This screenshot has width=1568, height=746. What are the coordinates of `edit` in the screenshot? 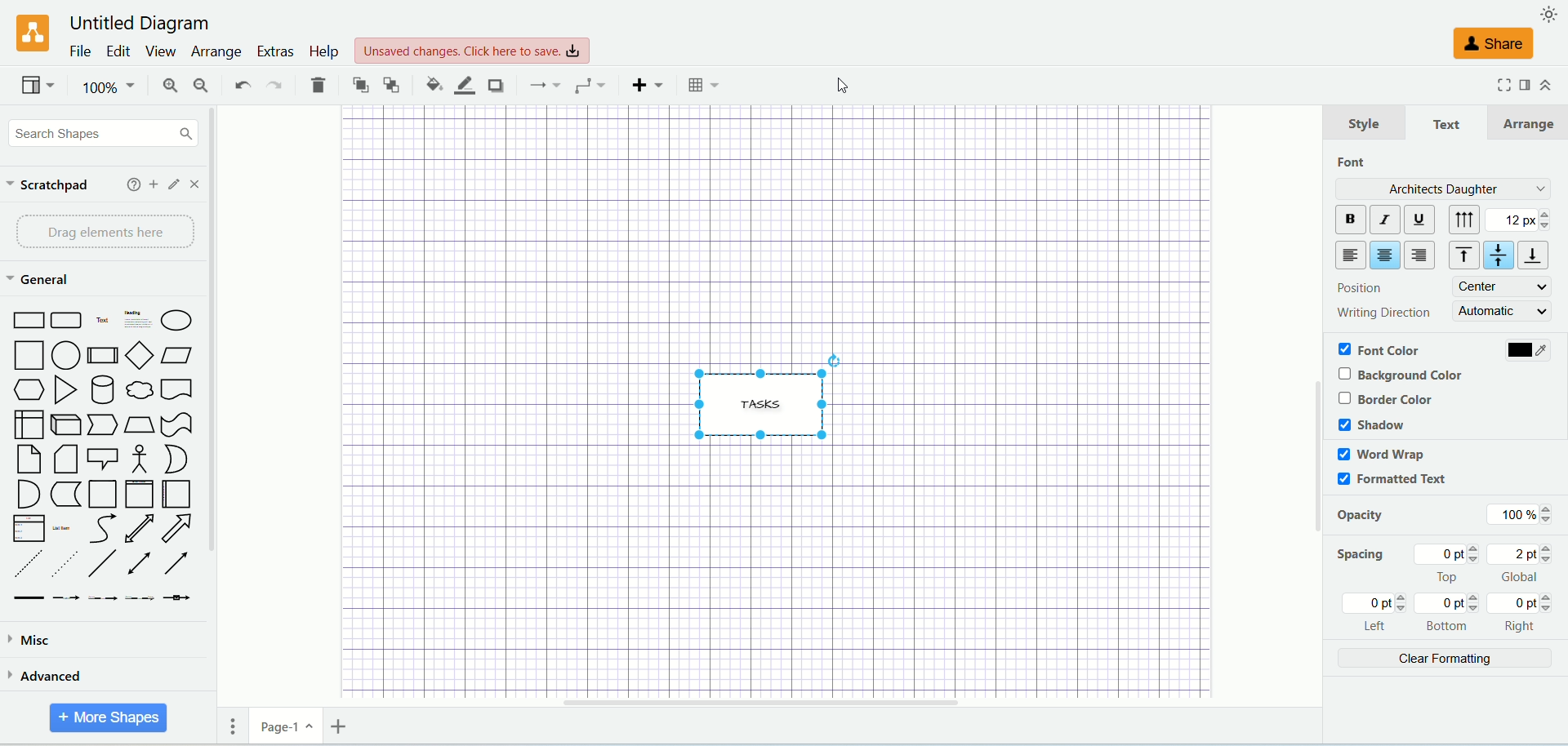 It's located at (115, 50).